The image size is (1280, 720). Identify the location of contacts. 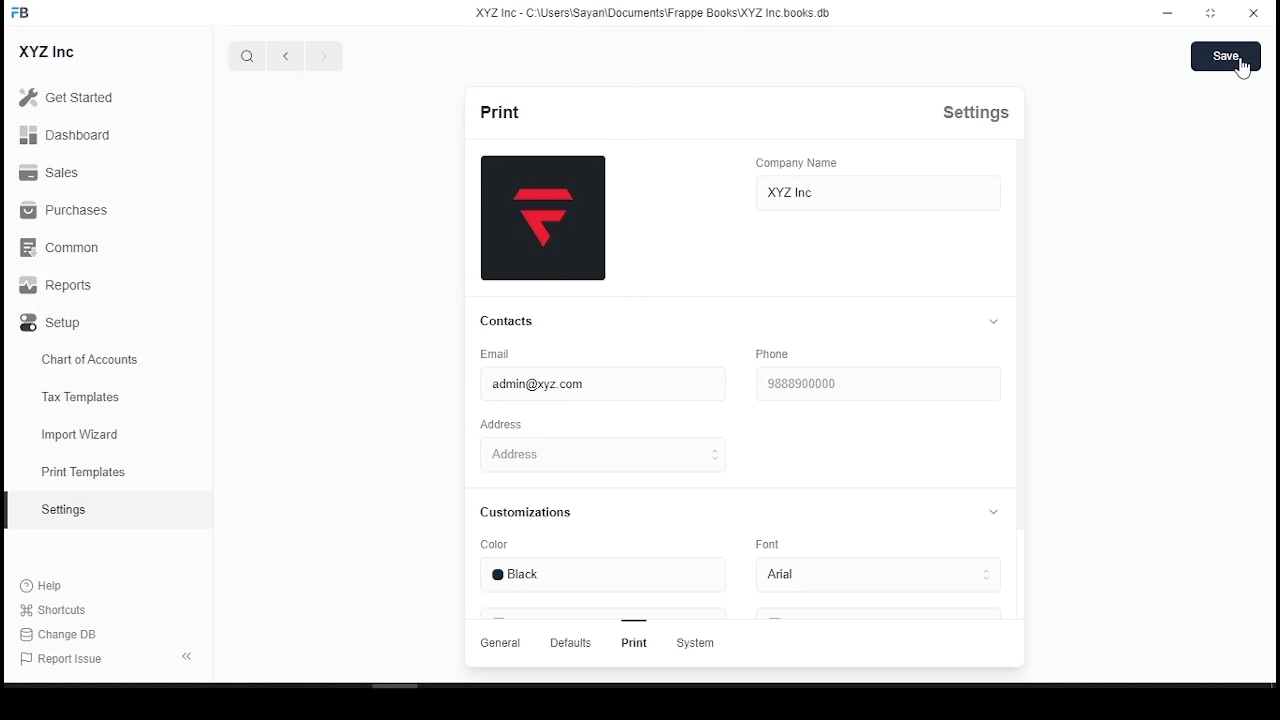
(512, 322).